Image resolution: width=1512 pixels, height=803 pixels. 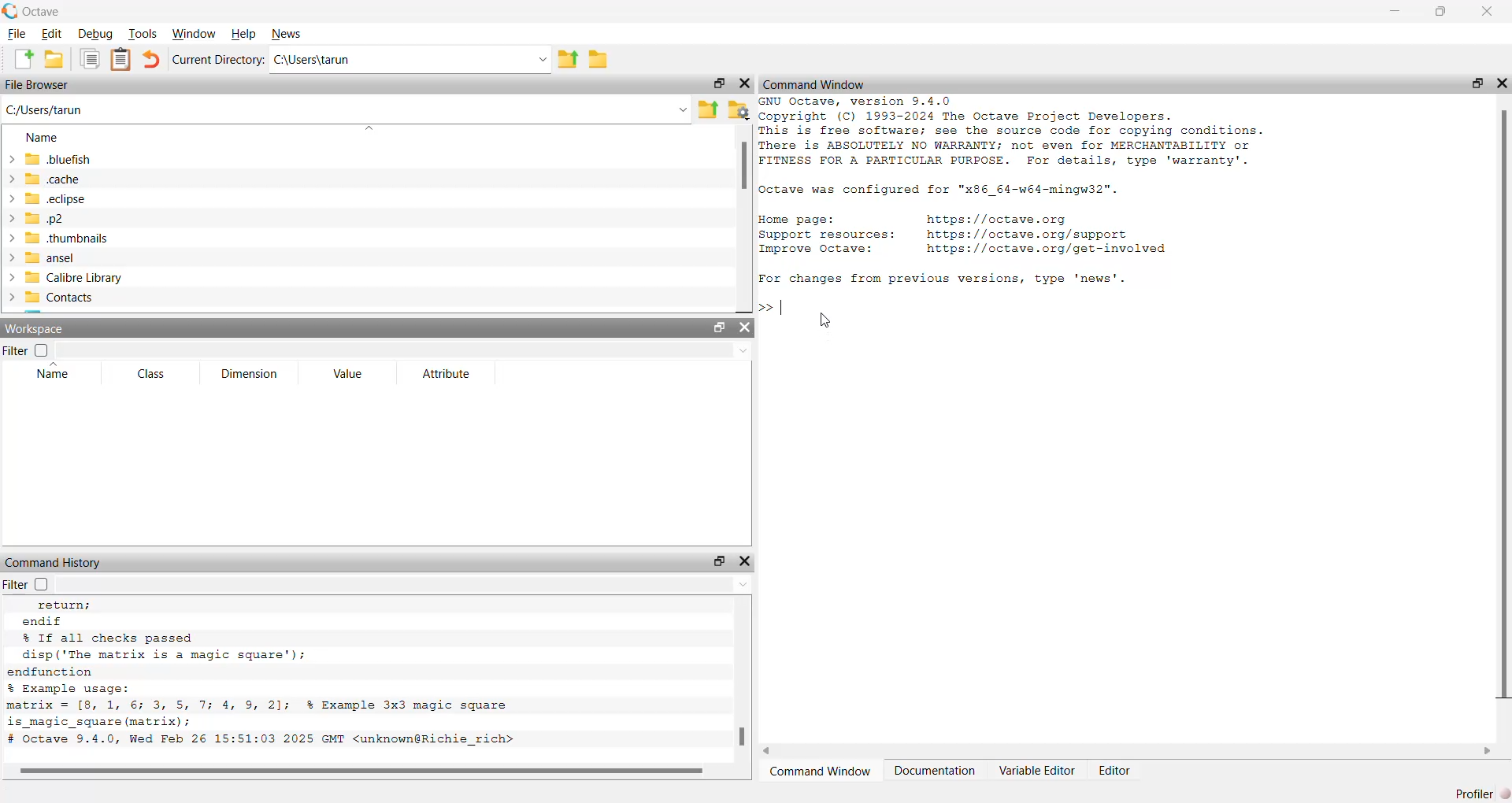 I want to click on ansel, so click(x=39, y=258).